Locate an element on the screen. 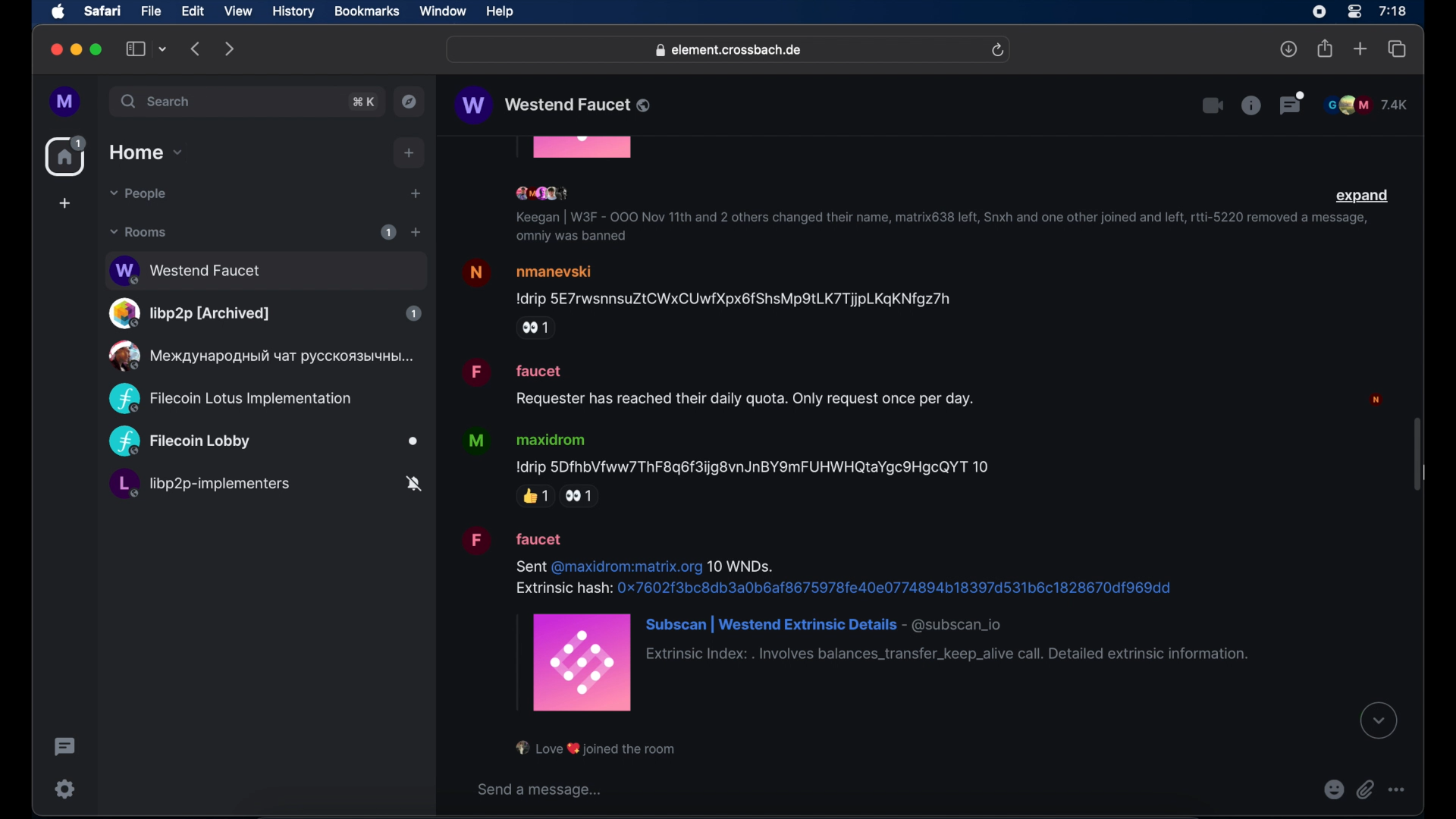  attach file is located at coordinates (1366, 789).